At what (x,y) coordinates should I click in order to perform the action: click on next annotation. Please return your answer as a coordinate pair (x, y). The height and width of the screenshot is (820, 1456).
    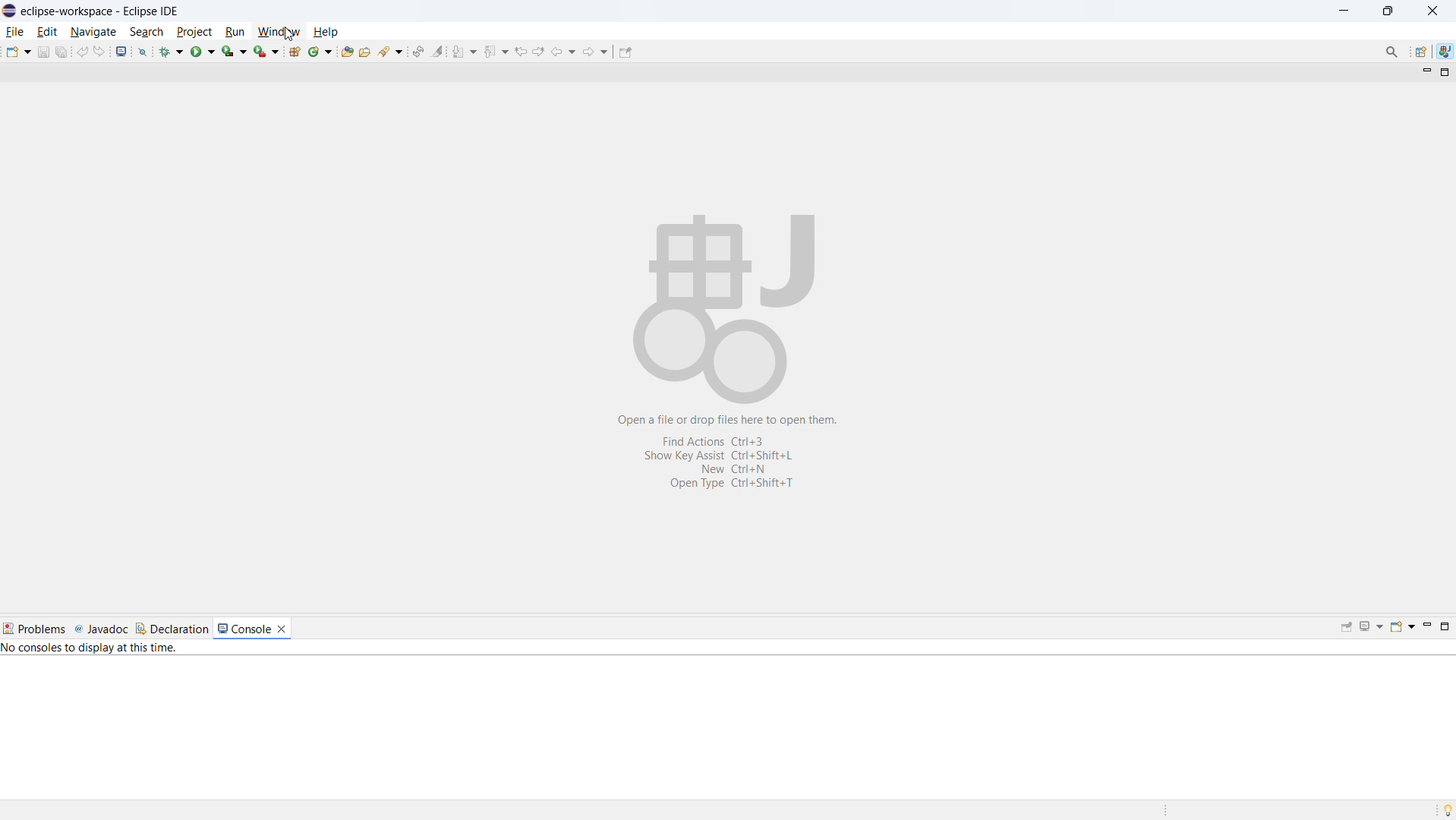
    Looking at the image, I should click on (465, 51).